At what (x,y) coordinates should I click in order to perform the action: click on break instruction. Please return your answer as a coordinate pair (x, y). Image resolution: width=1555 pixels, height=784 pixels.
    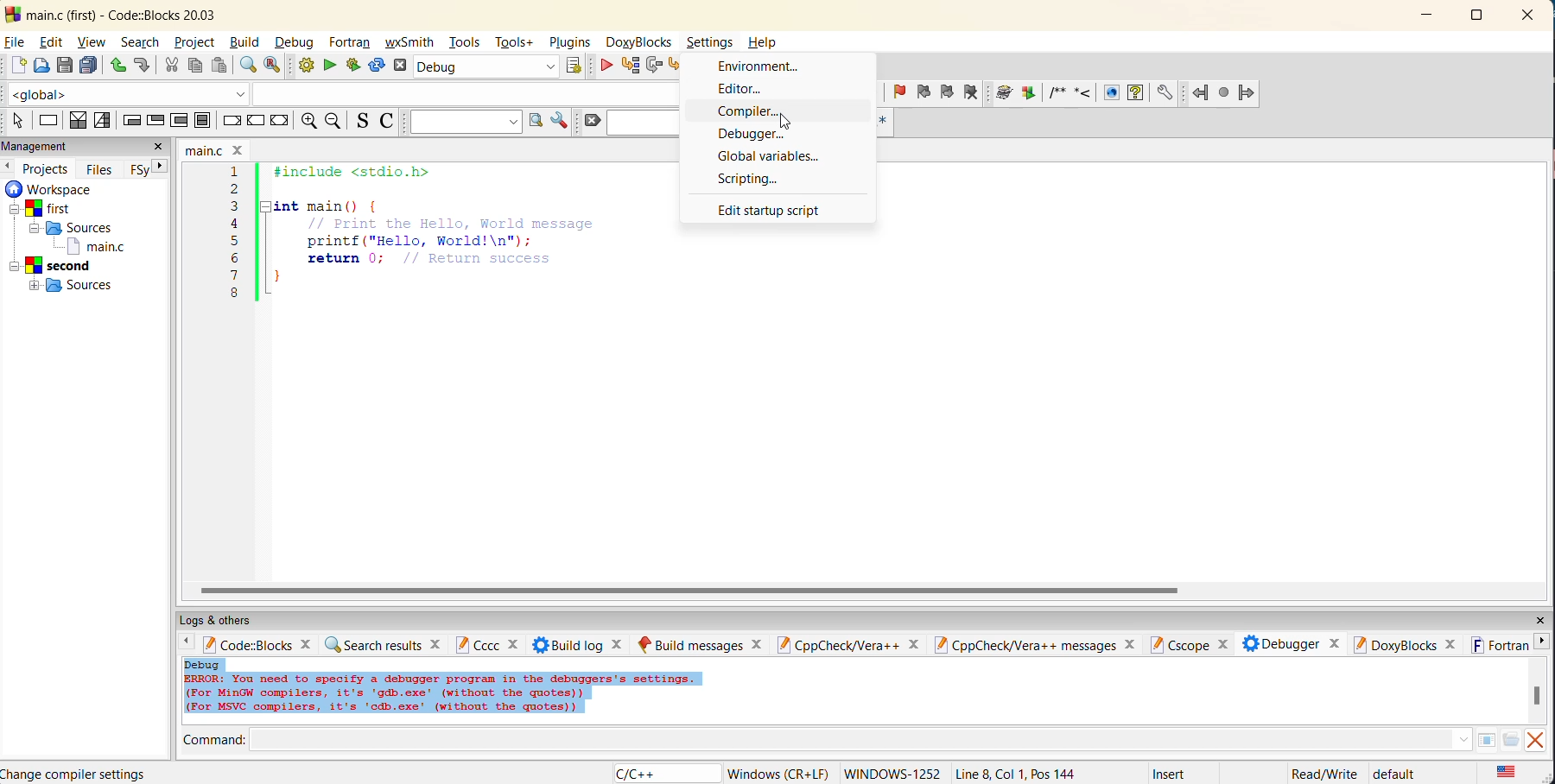
    Looking at the image, I should click on (229, 121).